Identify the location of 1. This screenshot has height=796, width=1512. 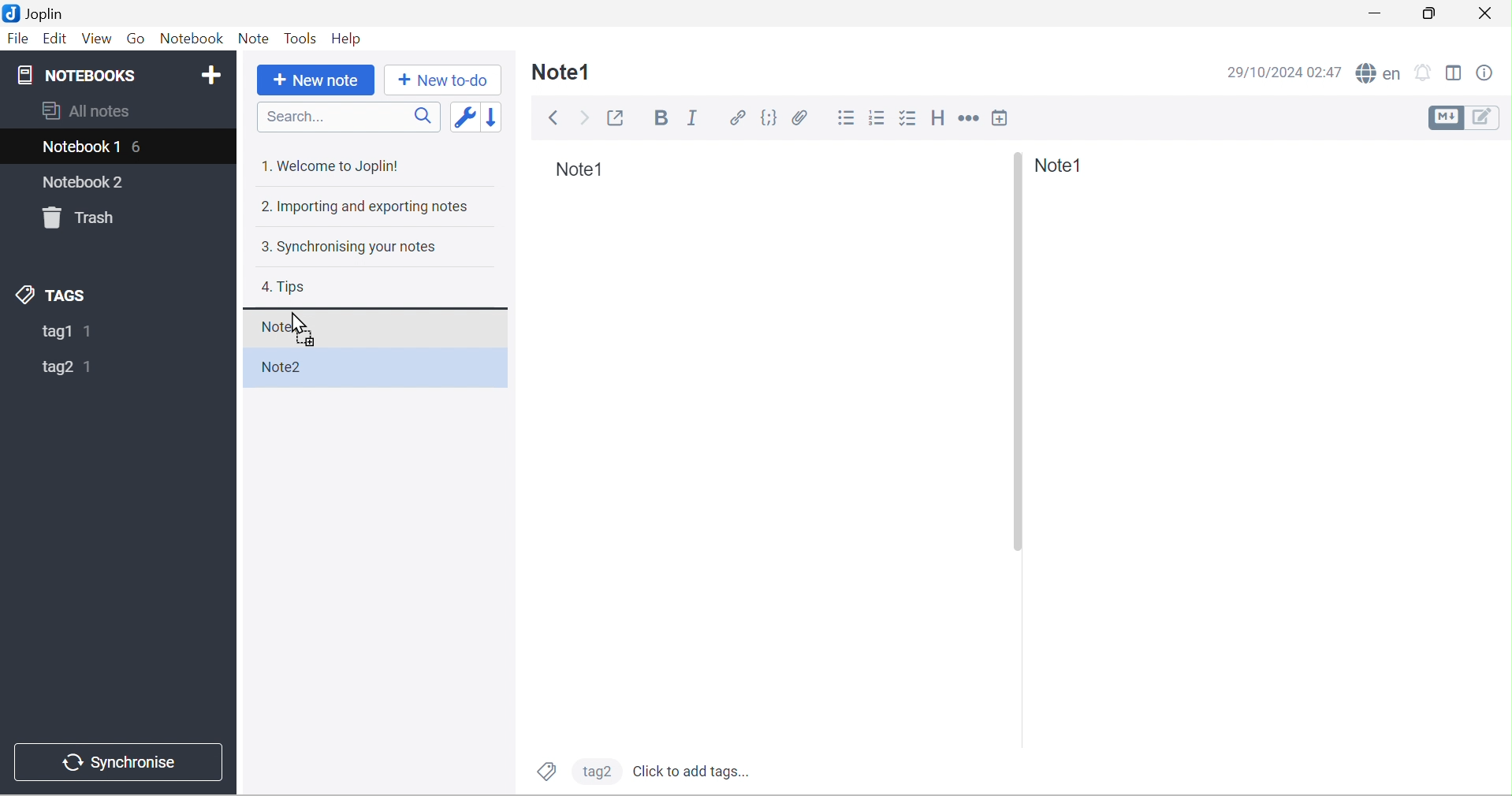
(88, 370).